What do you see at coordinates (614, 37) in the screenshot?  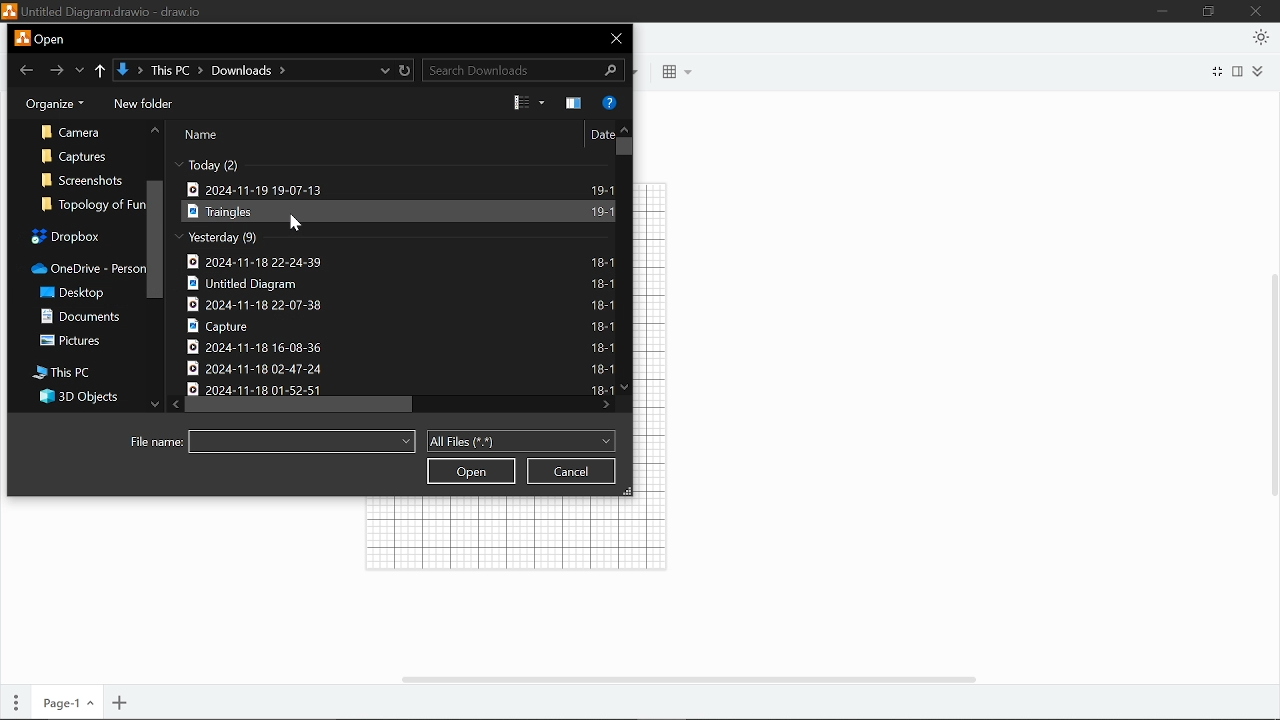 I see `Close` at bounding box center [614, 37].